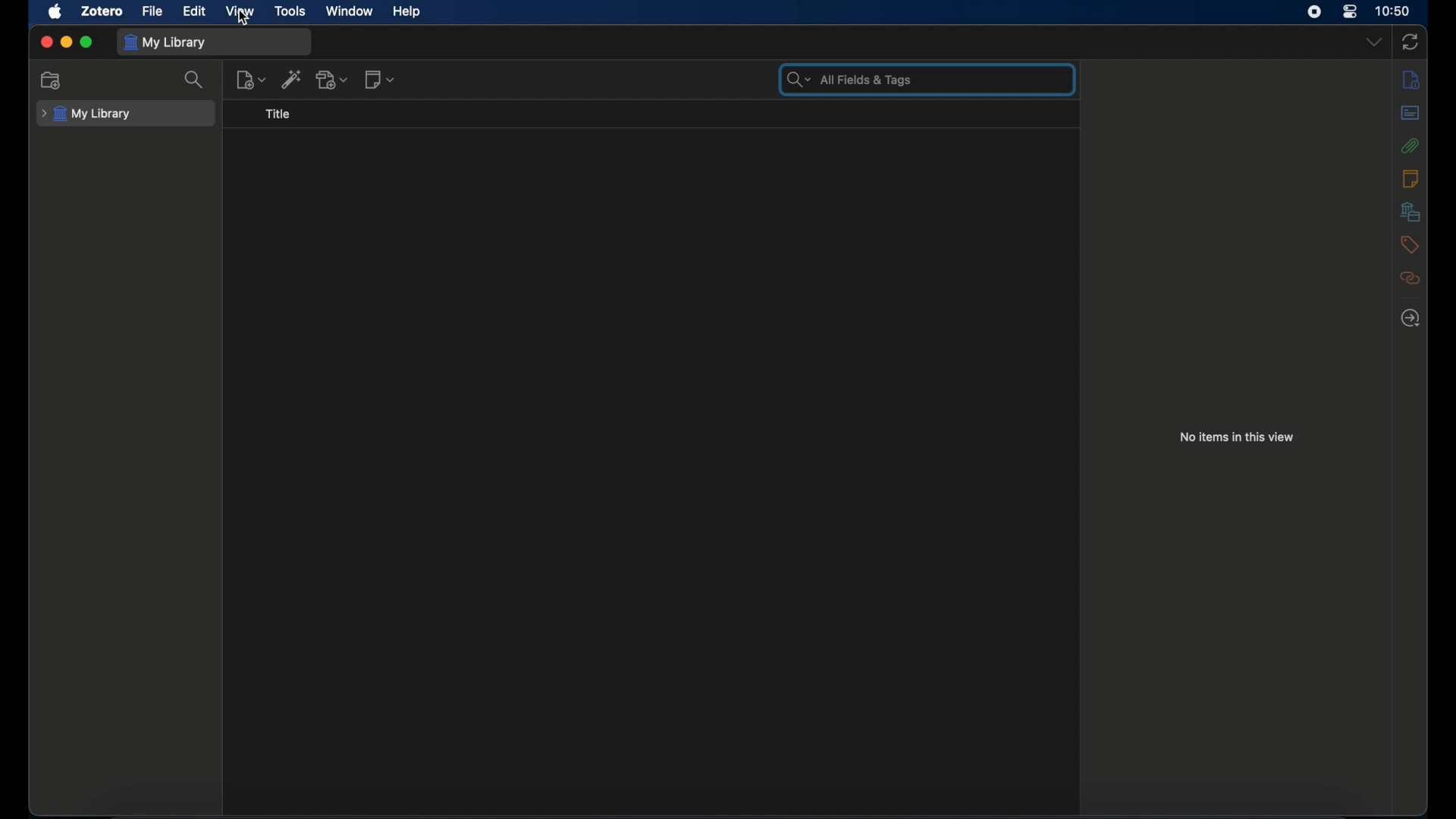 The image size is (1456, 819). What do you see at coordinates (86, 114) in the screenshot?
I see `my library` at bounding box center [86, 114].